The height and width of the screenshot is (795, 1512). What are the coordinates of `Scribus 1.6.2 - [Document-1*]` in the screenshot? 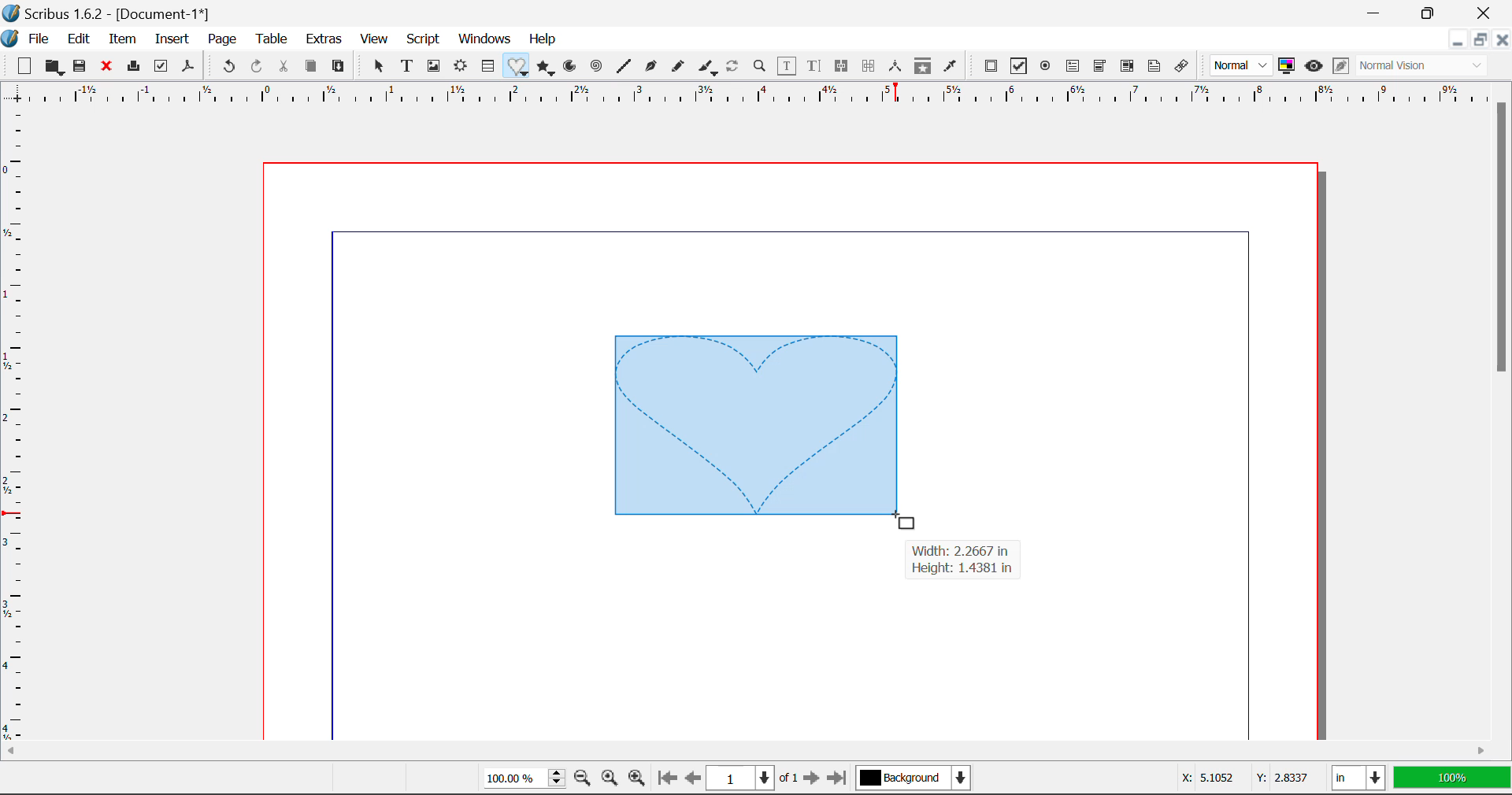 It's located at (113, 13).